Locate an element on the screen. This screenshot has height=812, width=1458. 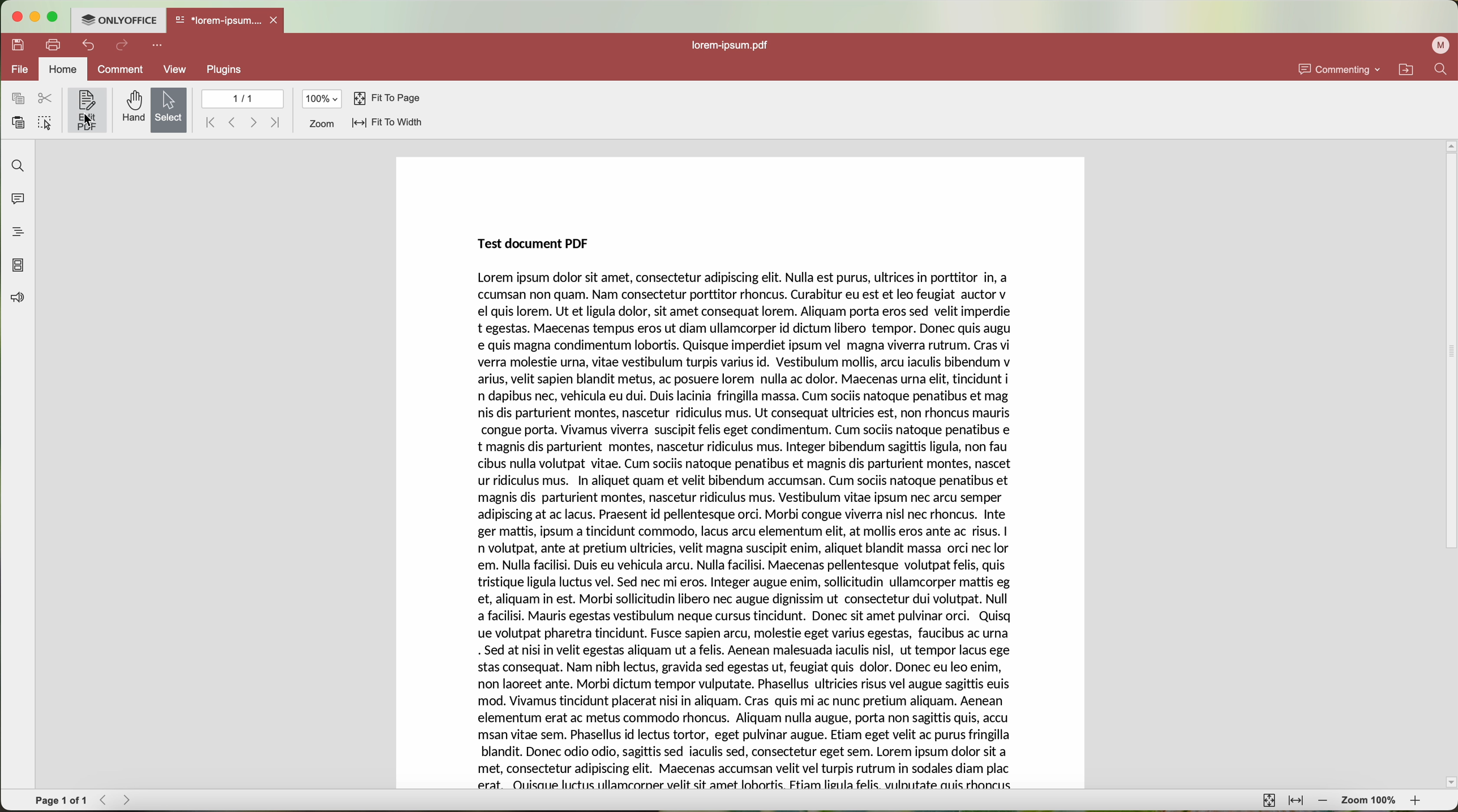
zoom out is located at coordinates (1323, 801).